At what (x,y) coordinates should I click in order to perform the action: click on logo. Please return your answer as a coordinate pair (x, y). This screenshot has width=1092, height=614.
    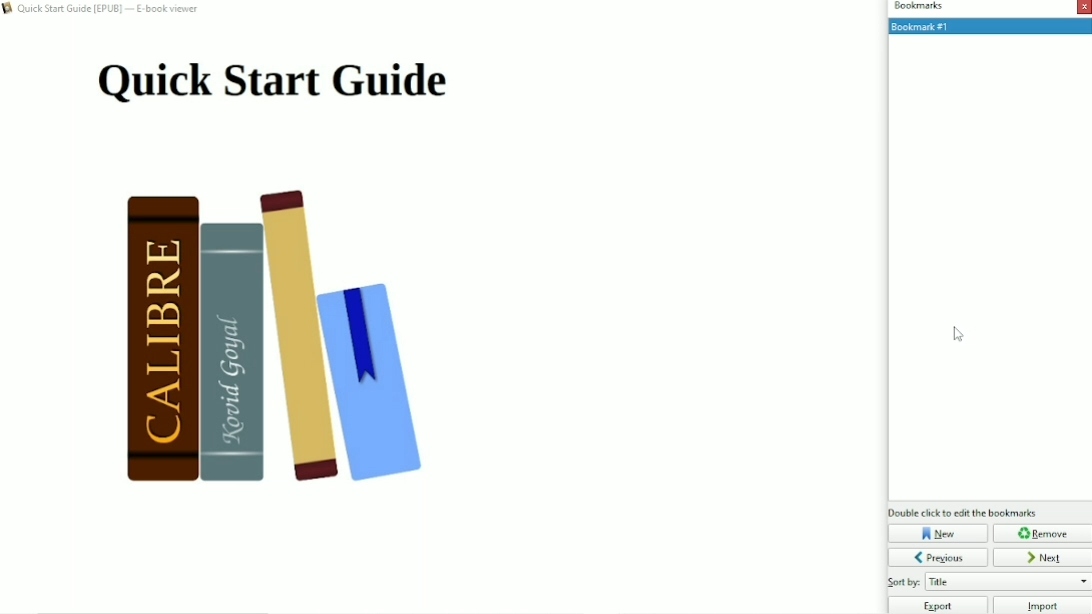
    Looking at the image, I should click on (8, 10).